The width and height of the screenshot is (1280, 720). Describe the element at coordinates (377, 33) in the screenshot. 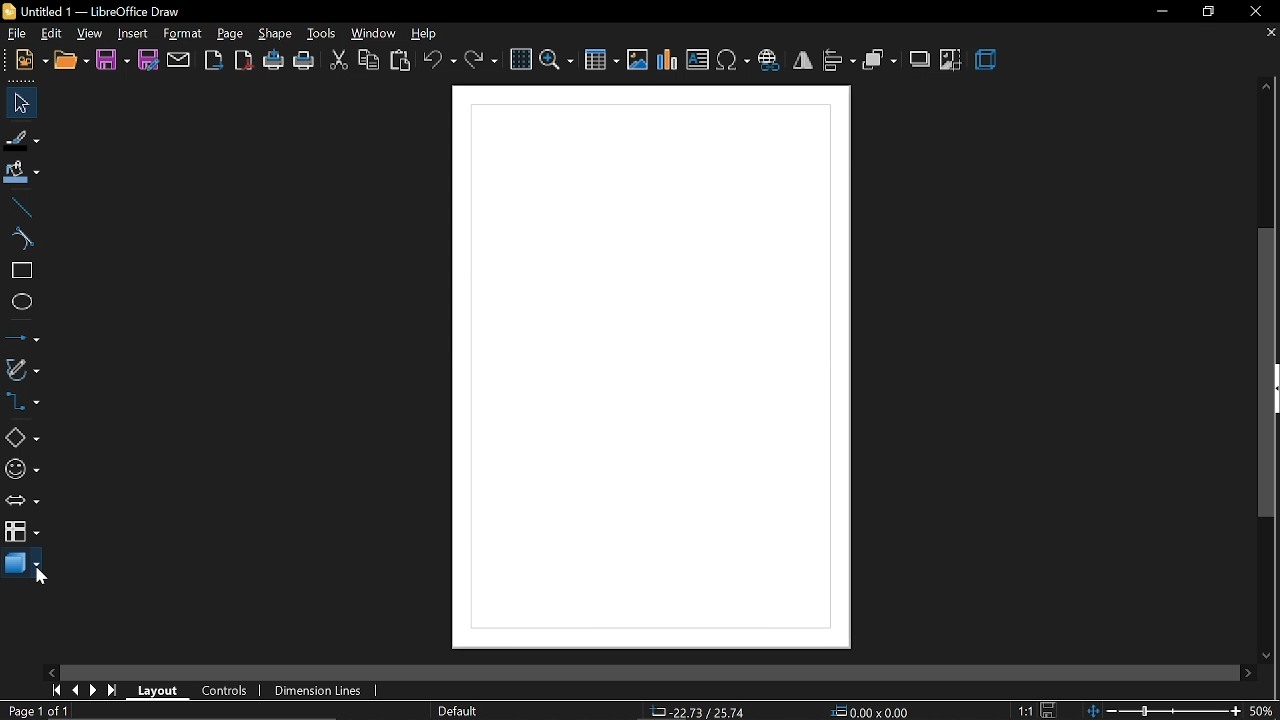

I see `window` at that location.